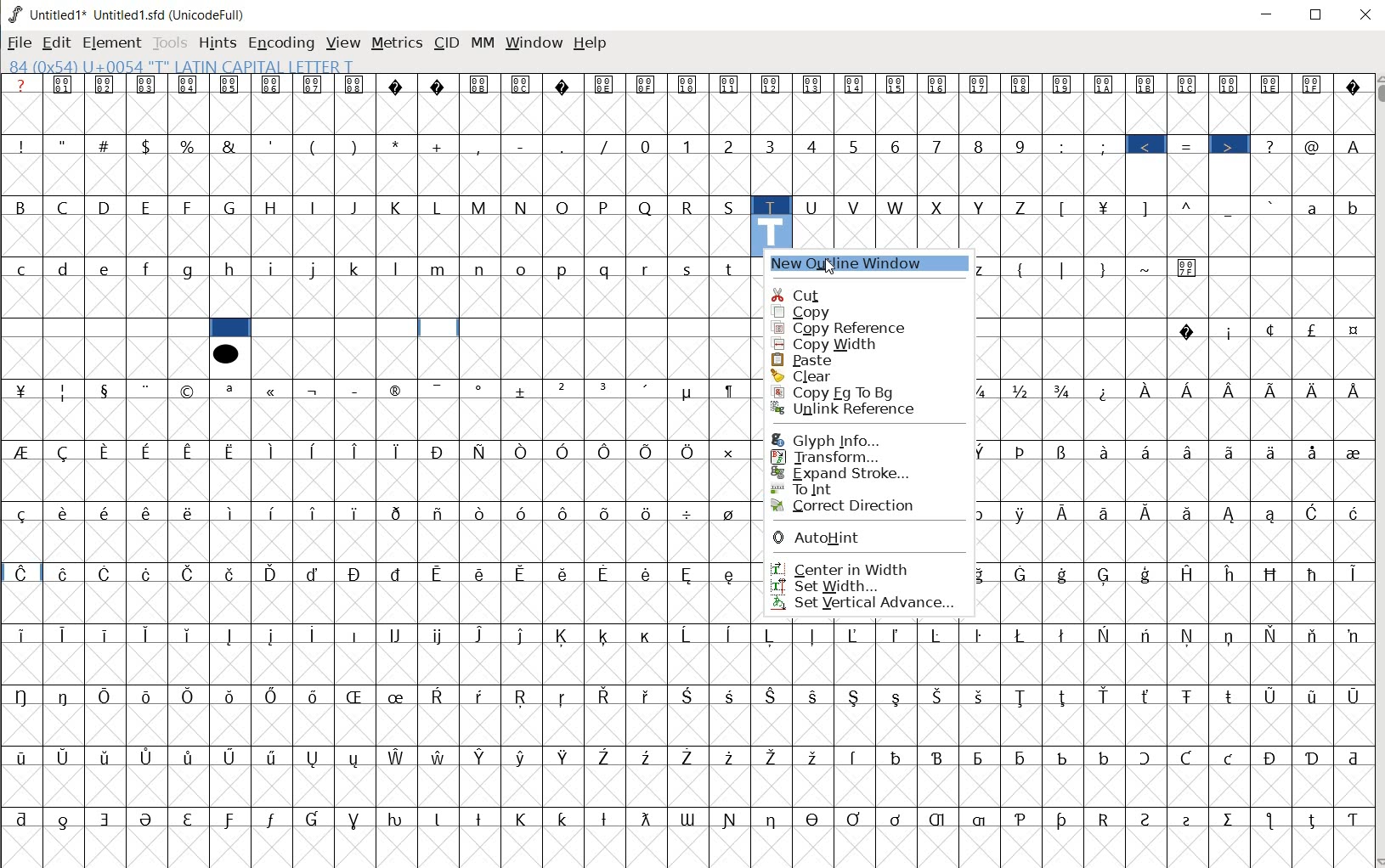 The image size is (1385, 868). What do you see at coordinates (356, 573) in the screenshot?
I see `Symbol` at bounding box center [356, 573].